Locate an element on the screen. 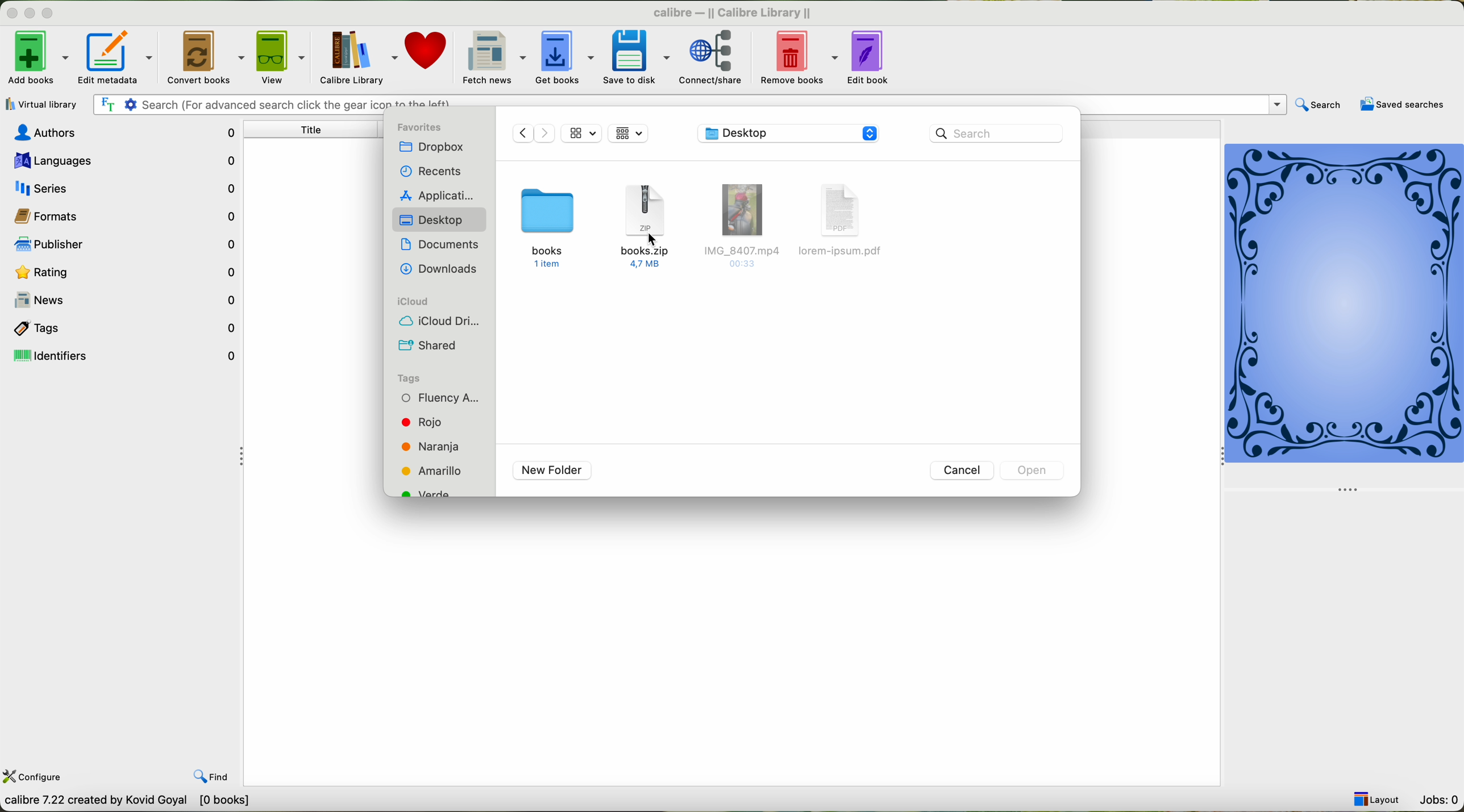 Image resolution: width=1464 pixels, height=812 pixels. Next is located at coordinates (545, 134).